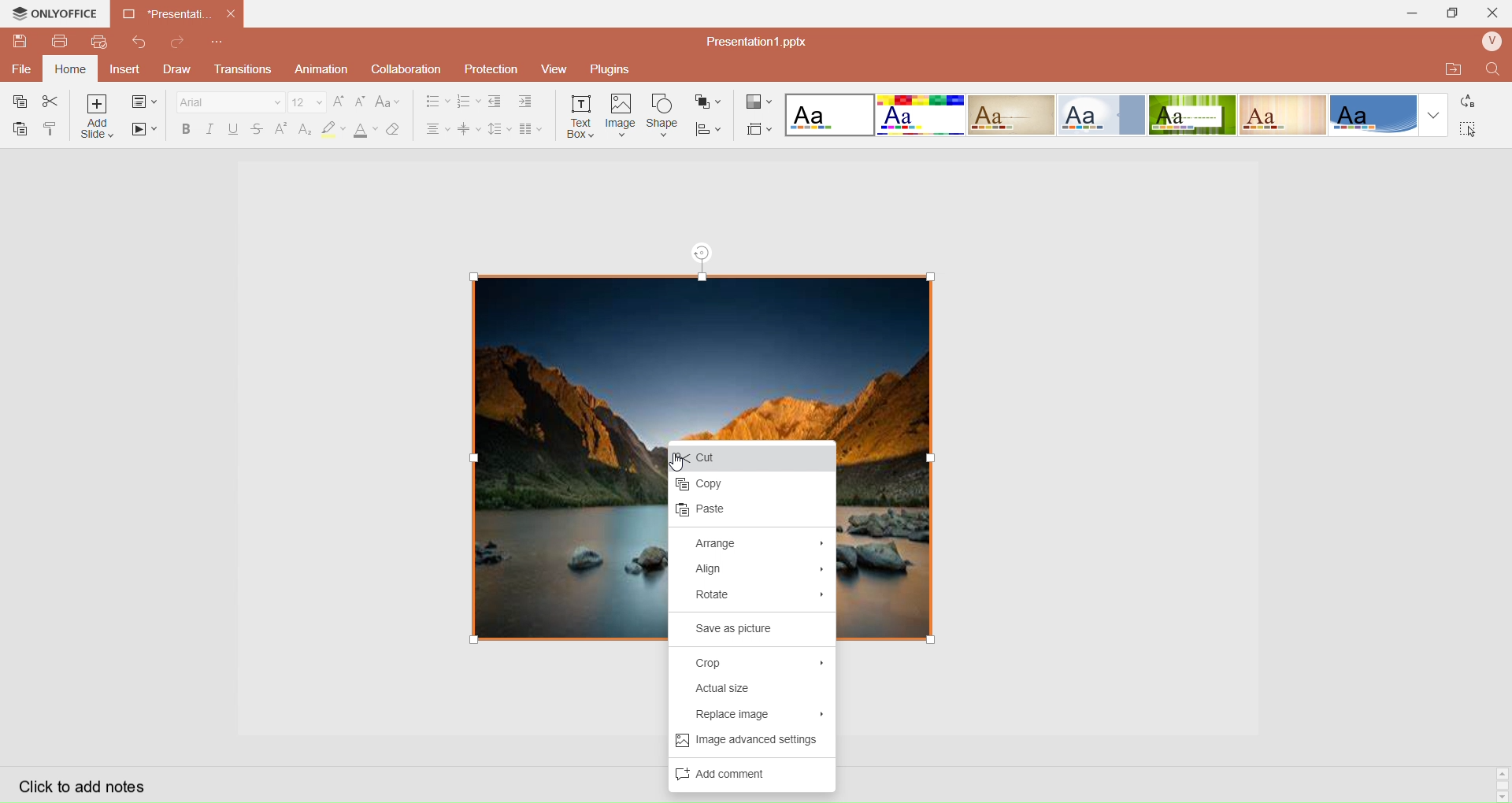  I want to click on Select Slide Size, so click(759, 129).